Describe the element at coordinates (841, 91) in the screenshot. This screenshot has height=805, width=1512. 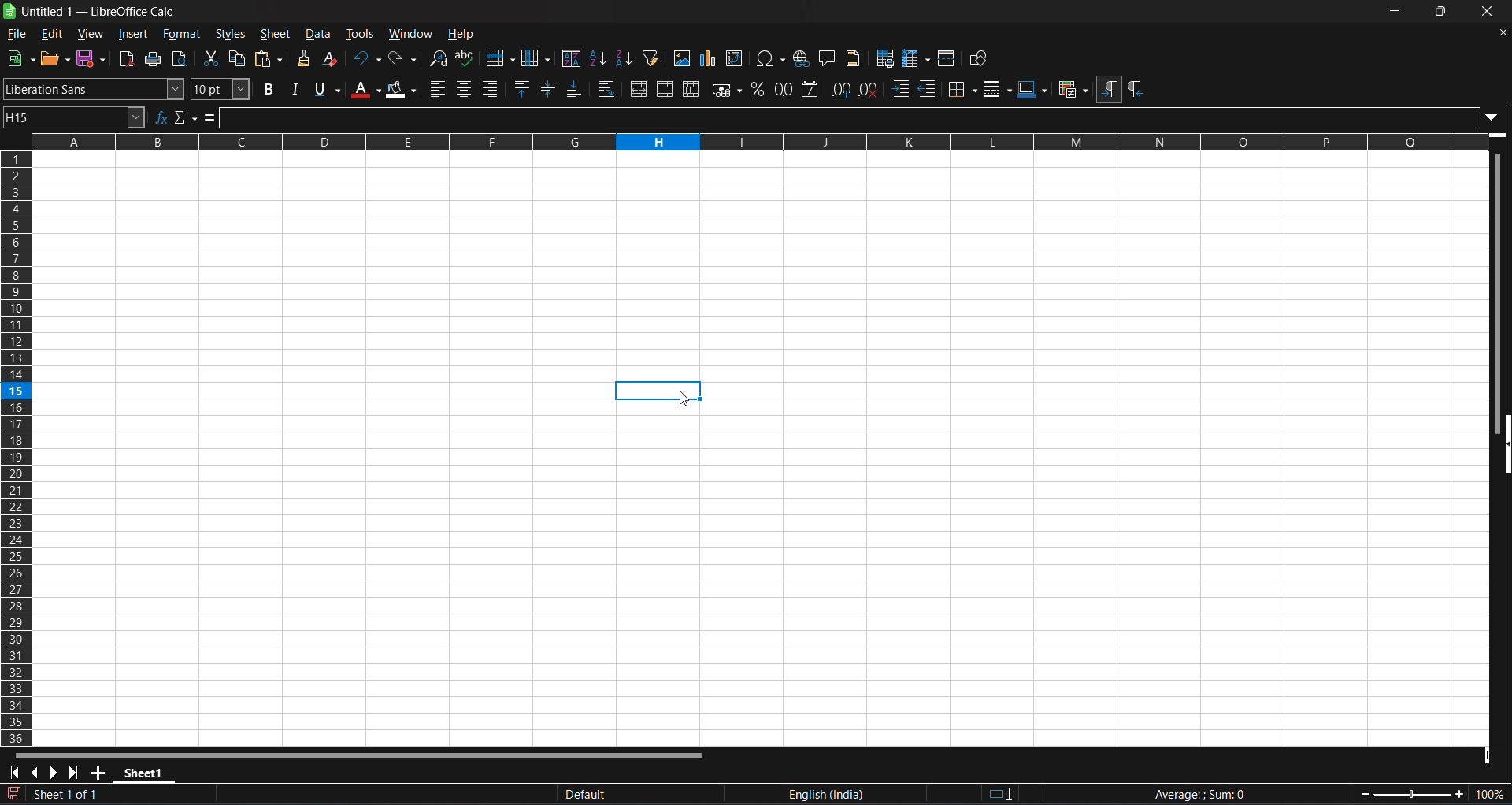
I see `add decimal place` at that location.